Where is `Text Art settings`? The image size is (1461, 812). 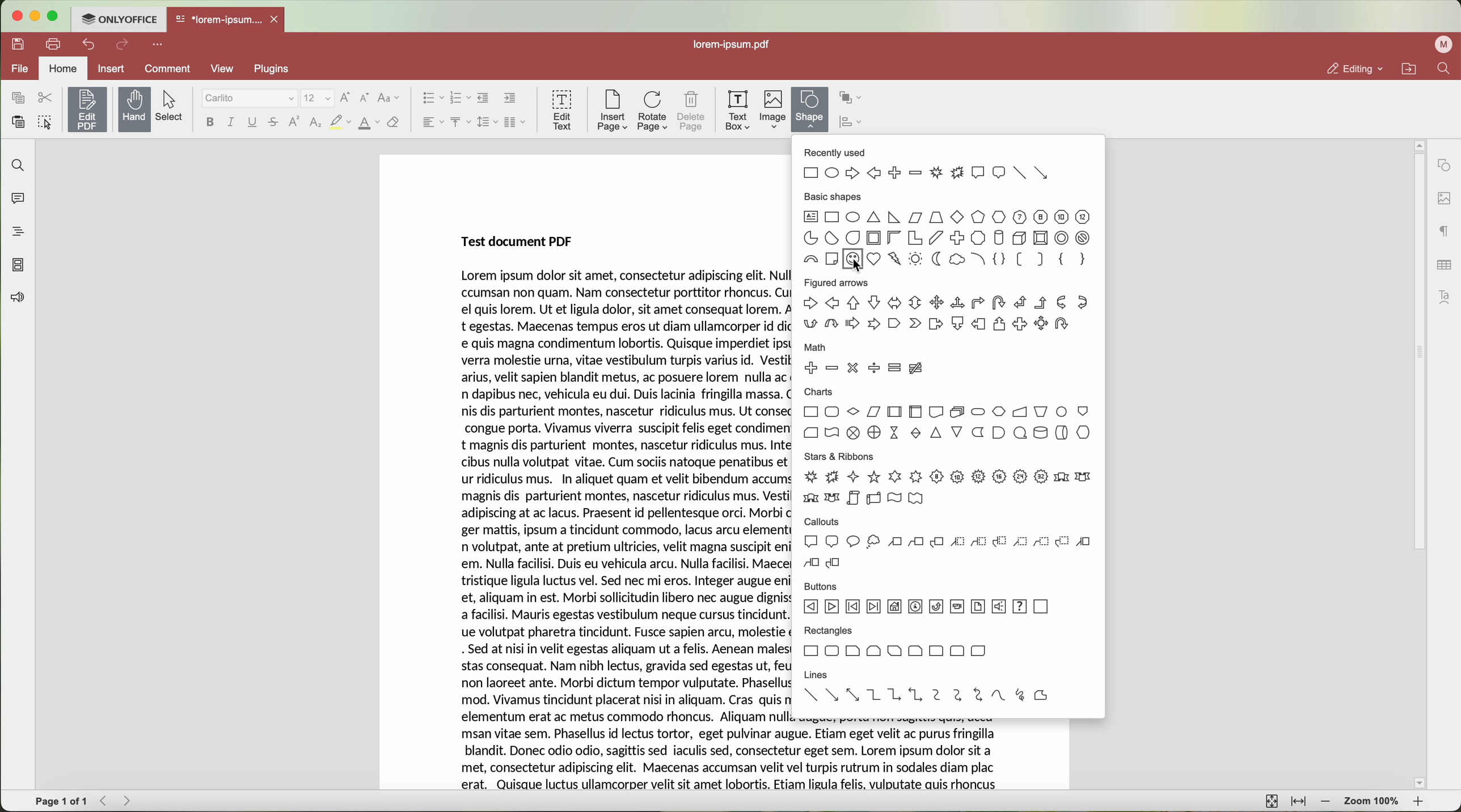
Text Art settings is located at coordinates (1446, 295).